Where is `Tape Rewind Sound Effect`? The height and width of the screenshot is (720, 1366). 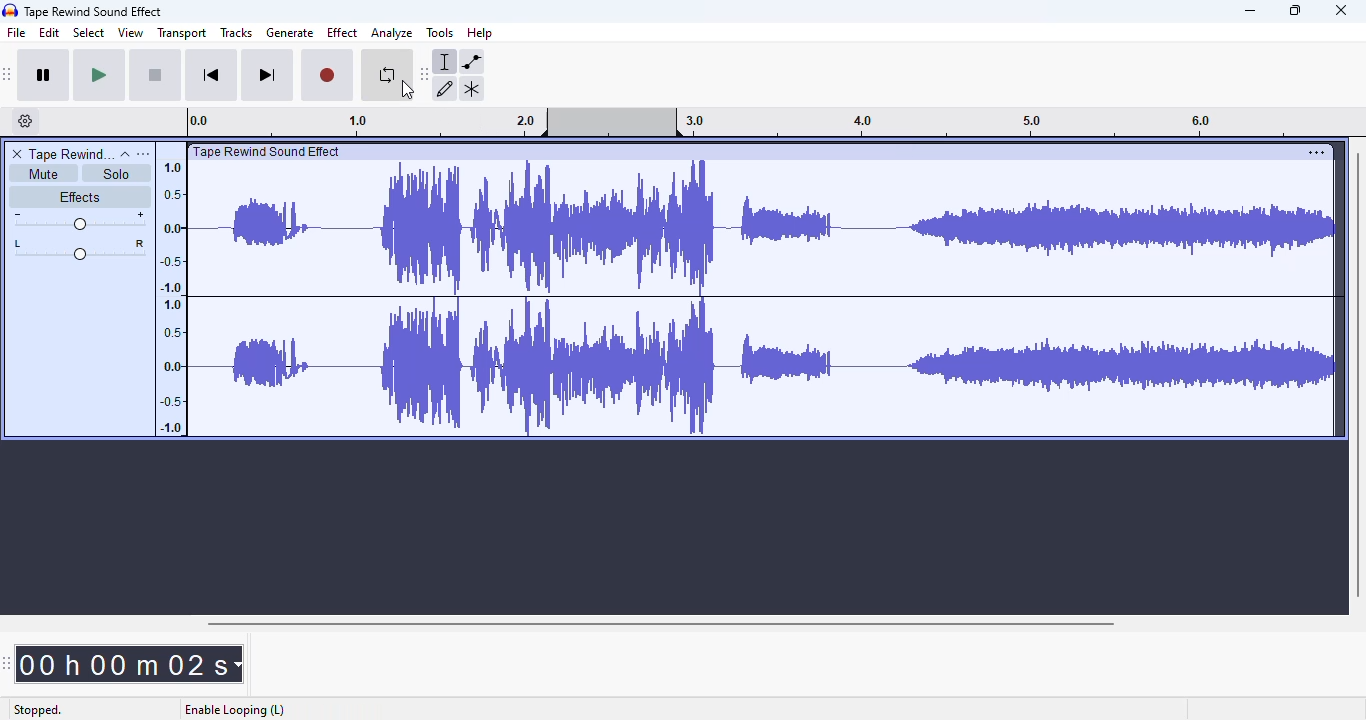
Tape Rewind Sound Effect is located at coordinates (101, 11).